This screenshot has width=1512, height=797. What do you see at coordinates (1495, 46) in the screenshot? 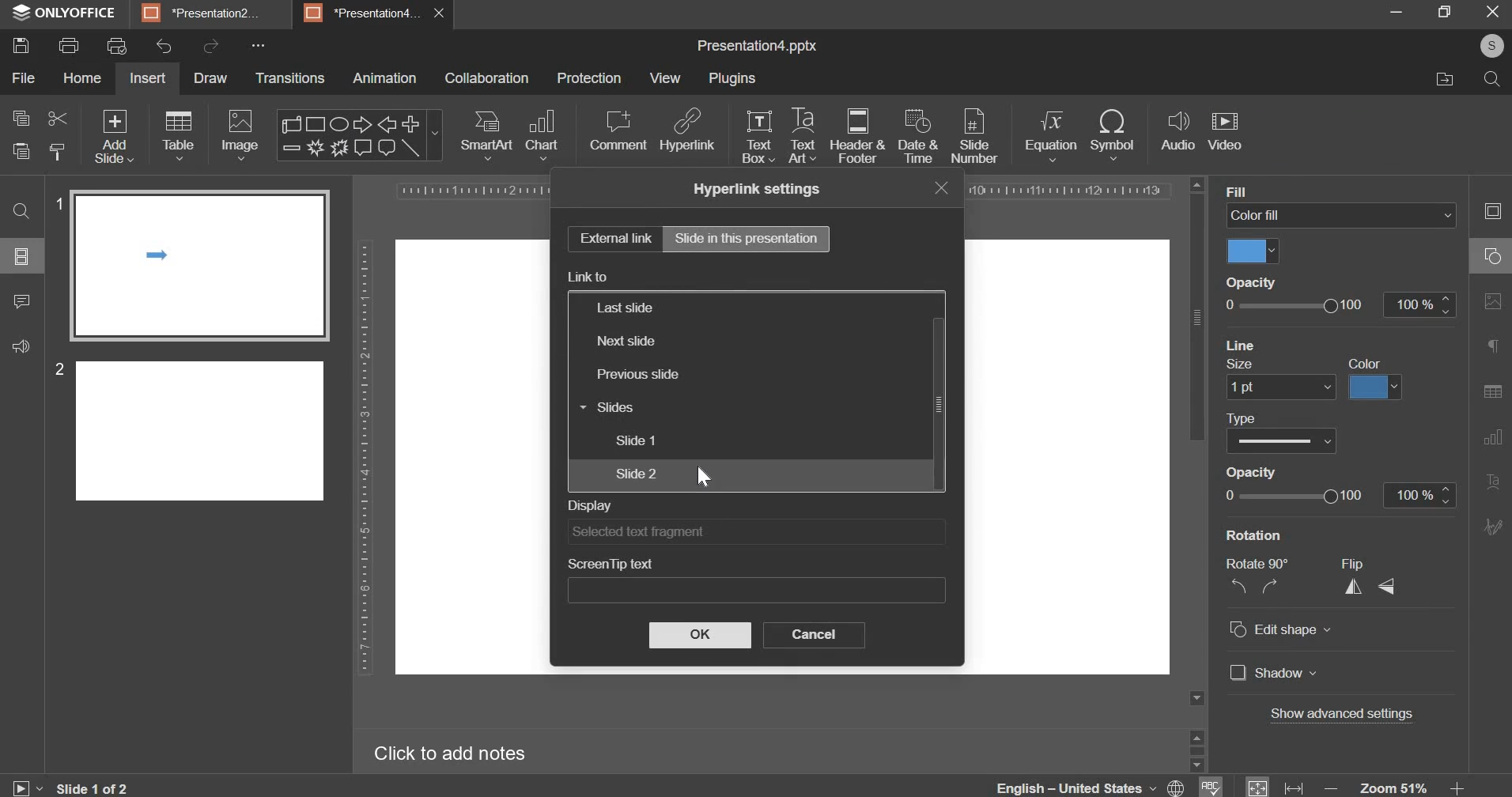
I see `s` at bounding box center [1495, 46].